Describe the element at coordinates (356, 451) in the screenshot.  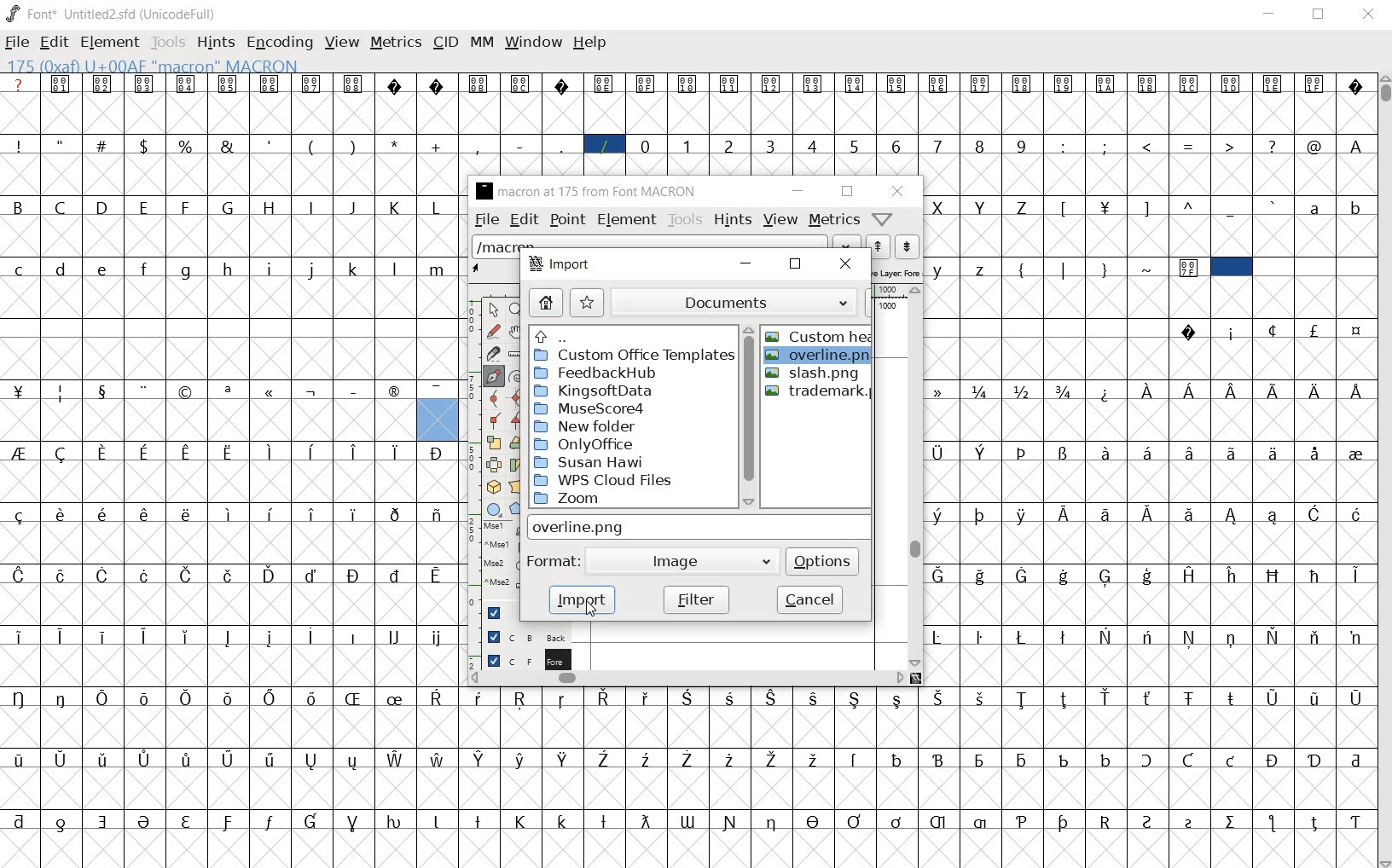
I see `Symbol` at that location.